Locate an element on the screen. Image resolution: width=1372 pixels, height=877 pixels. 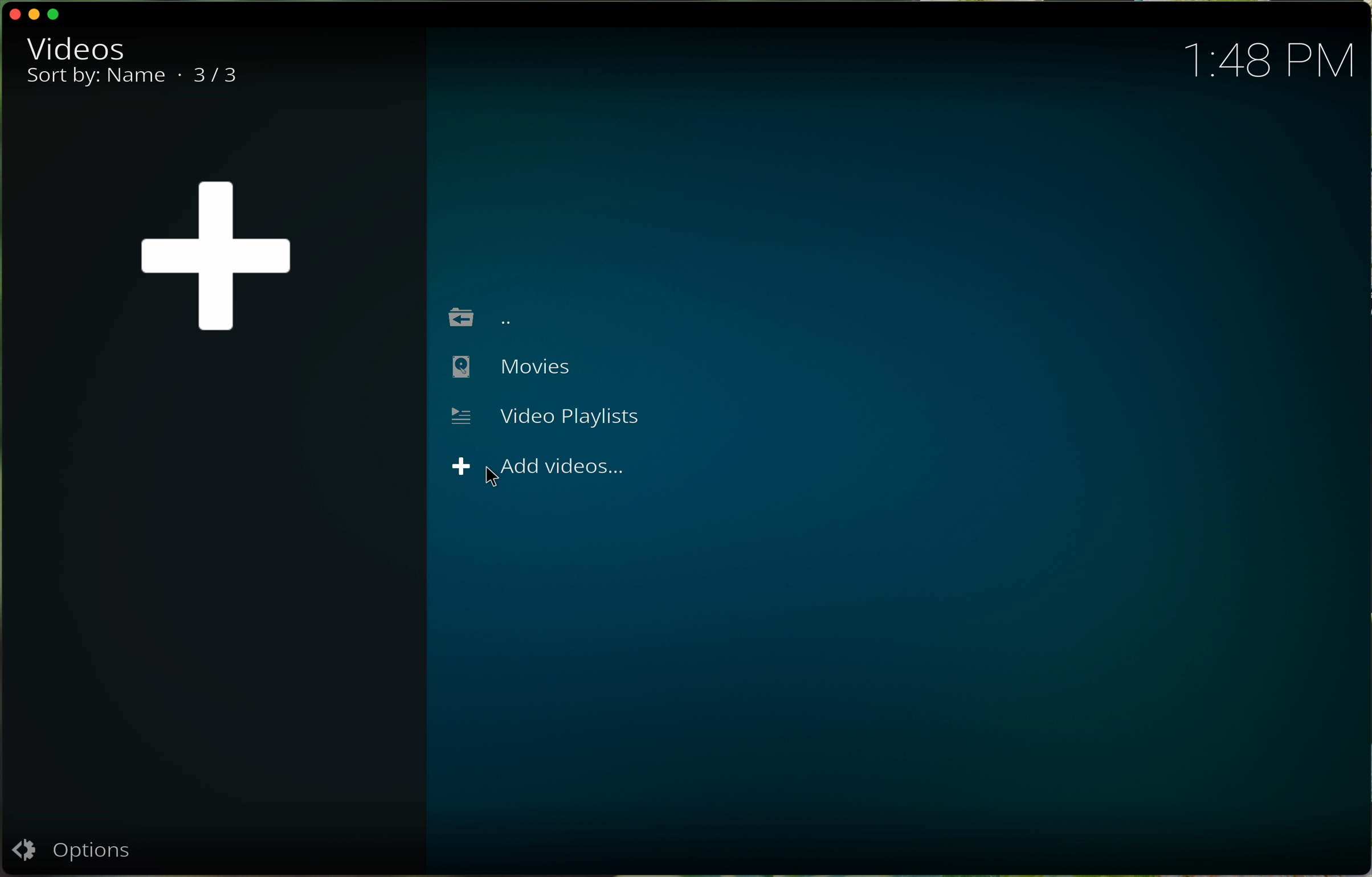
3/3 is located at coordinates (220, 77).